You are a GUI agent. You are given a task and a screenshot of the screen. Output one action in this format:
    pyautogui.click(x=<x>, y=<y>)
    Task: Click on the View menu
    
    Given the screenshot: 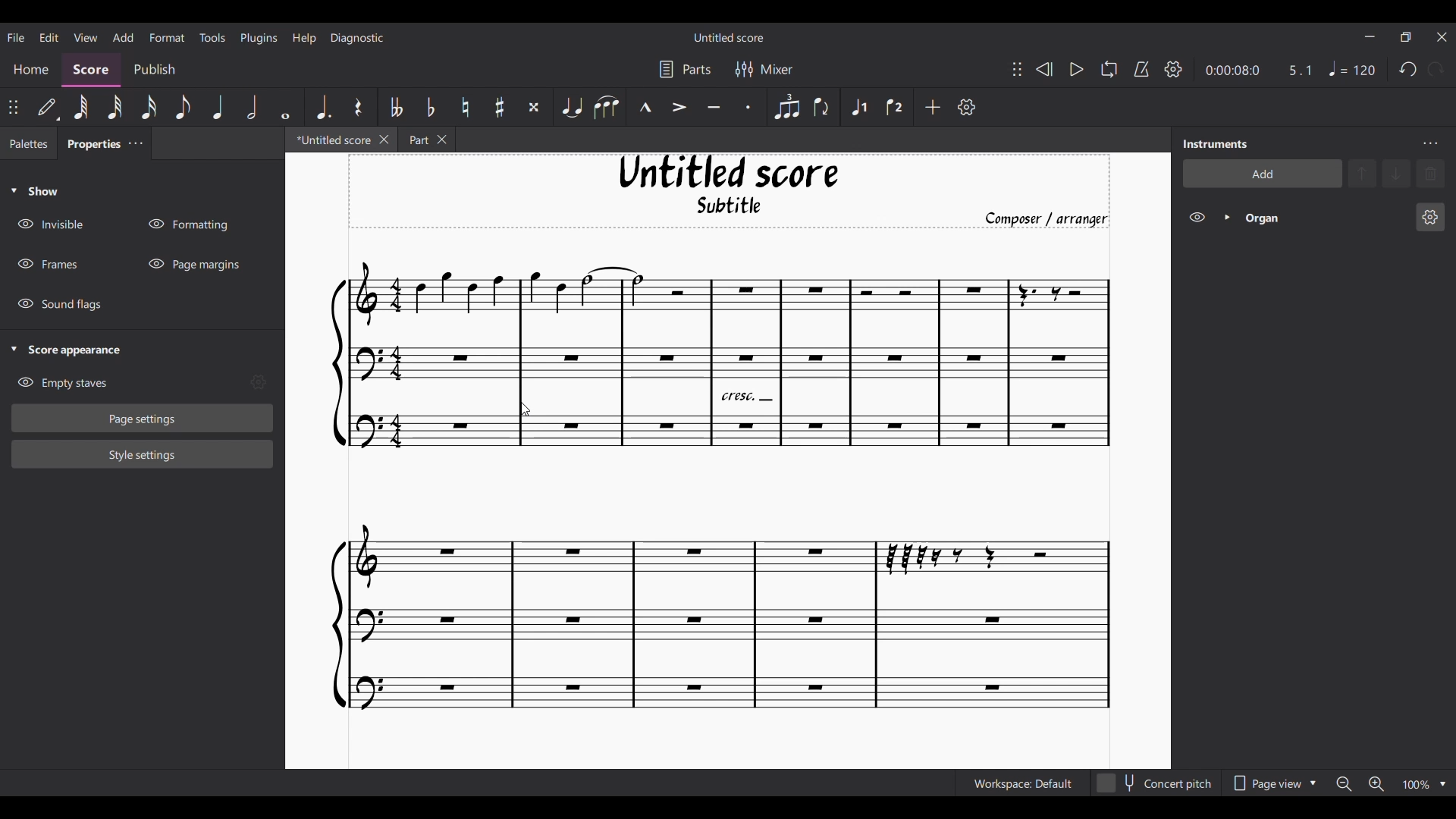 What is the action you would take?
    pyautogui.click(x=85, y=36)
    